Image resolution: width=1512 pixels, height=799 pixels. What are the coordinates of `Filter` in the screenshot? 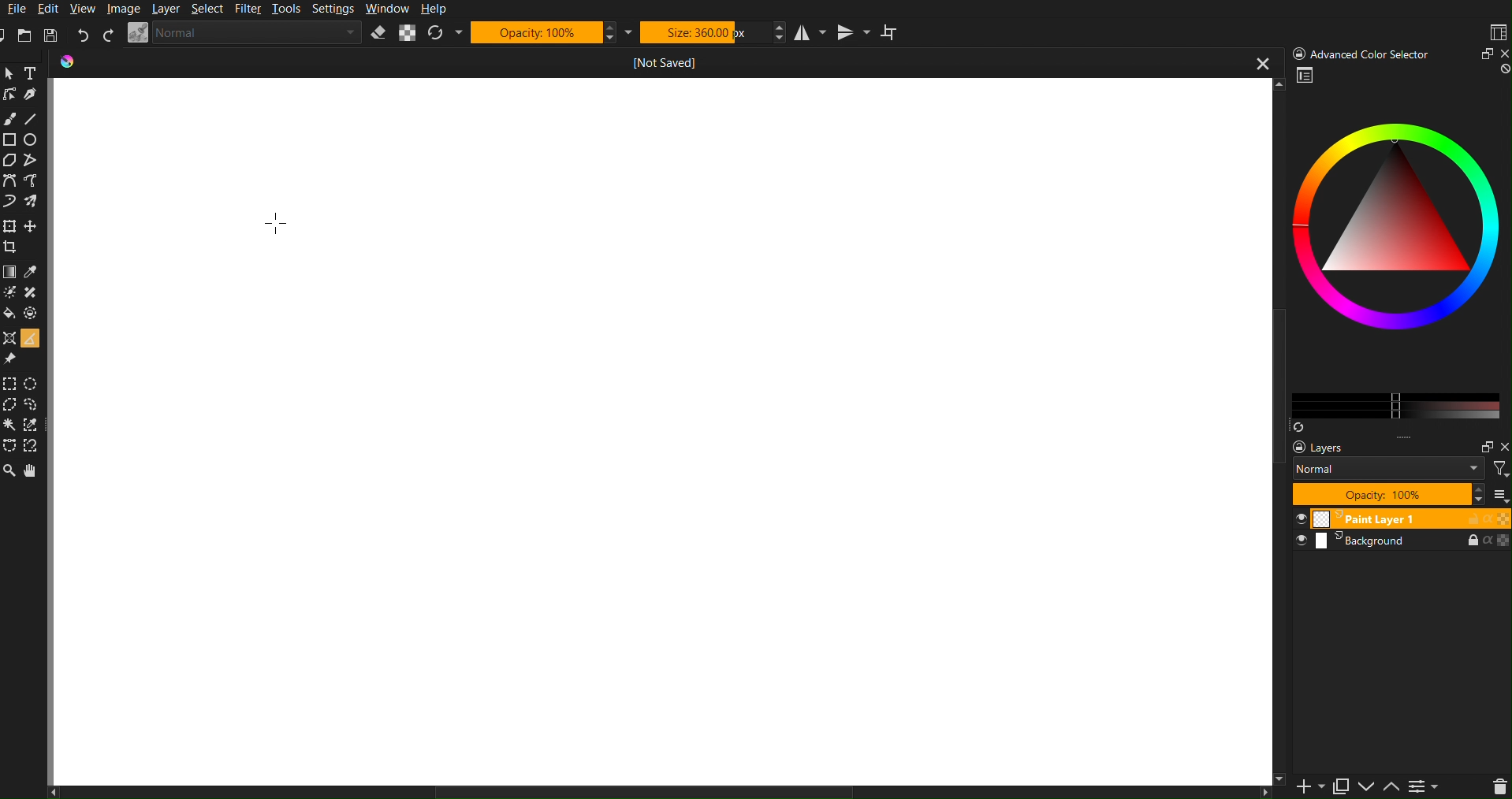 It's located at (251, 9).